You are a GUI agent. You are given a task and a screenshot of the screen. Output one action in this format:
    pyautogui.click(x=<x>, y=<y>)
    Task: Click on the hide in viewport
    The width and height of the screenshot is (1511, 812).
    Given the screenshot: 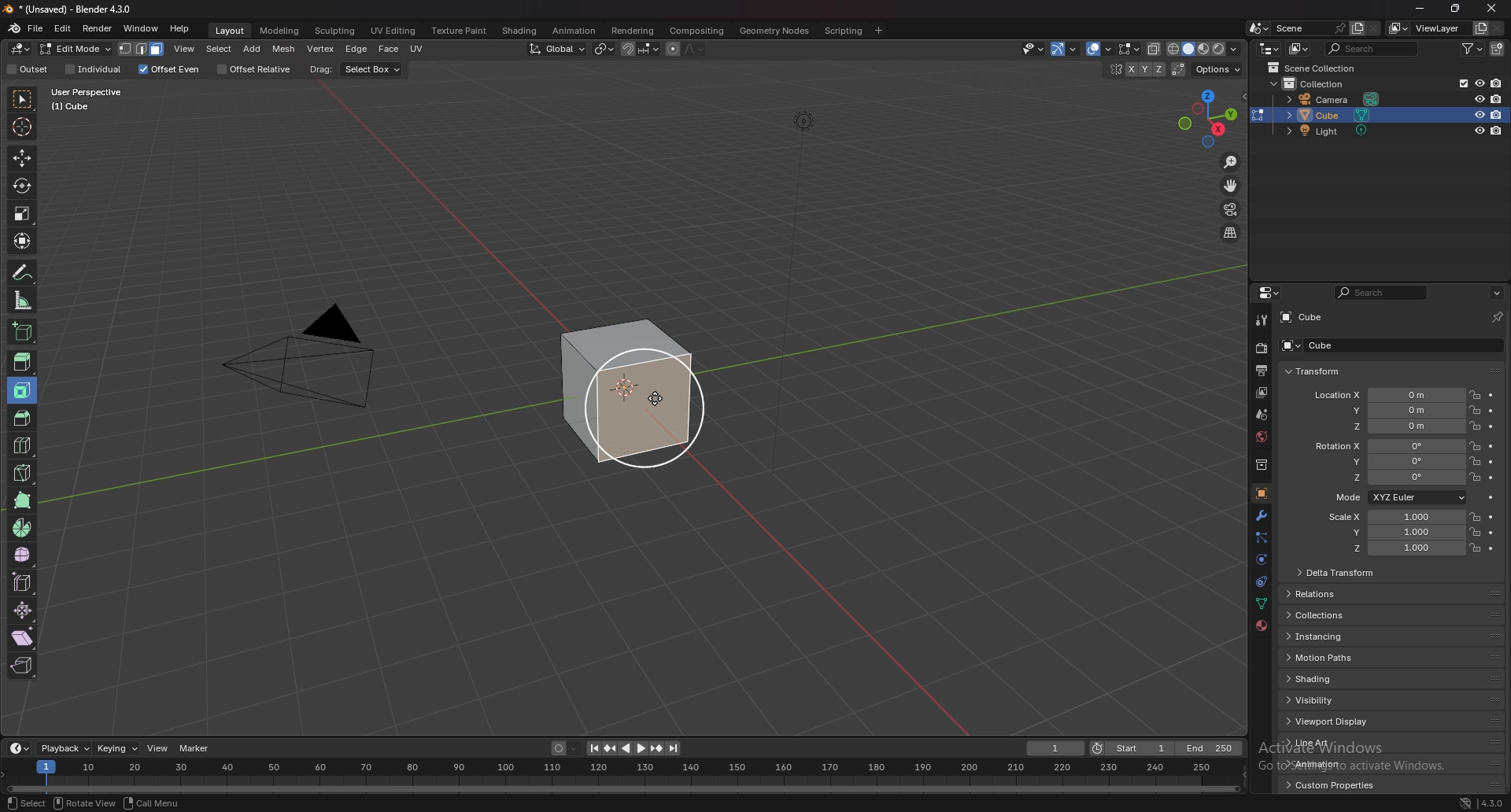 What is the action you would take?
    pyautogui.click(x=1477, y=114)
    